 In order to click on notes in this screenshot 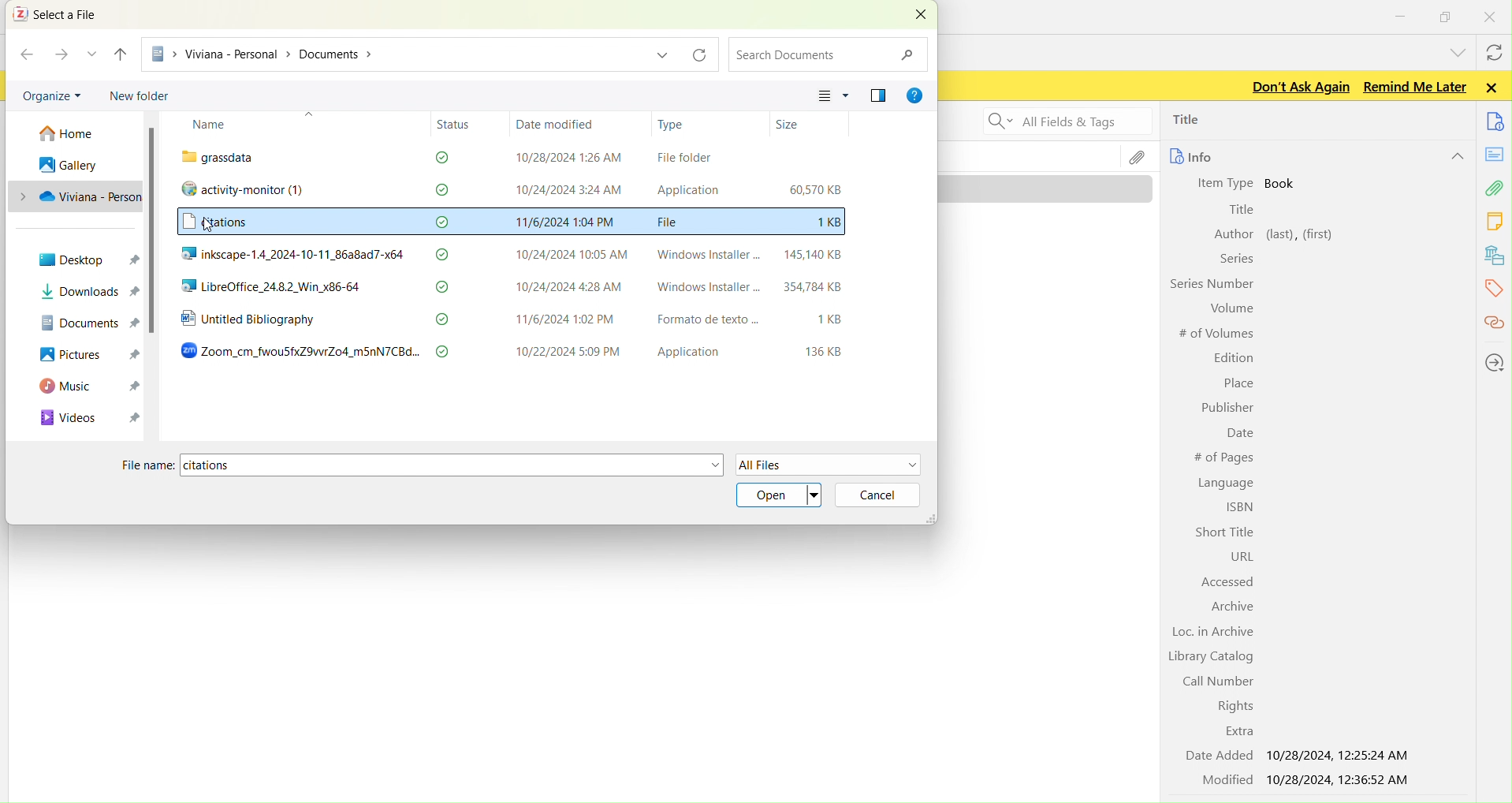, I will do `click(1495, 153)`.